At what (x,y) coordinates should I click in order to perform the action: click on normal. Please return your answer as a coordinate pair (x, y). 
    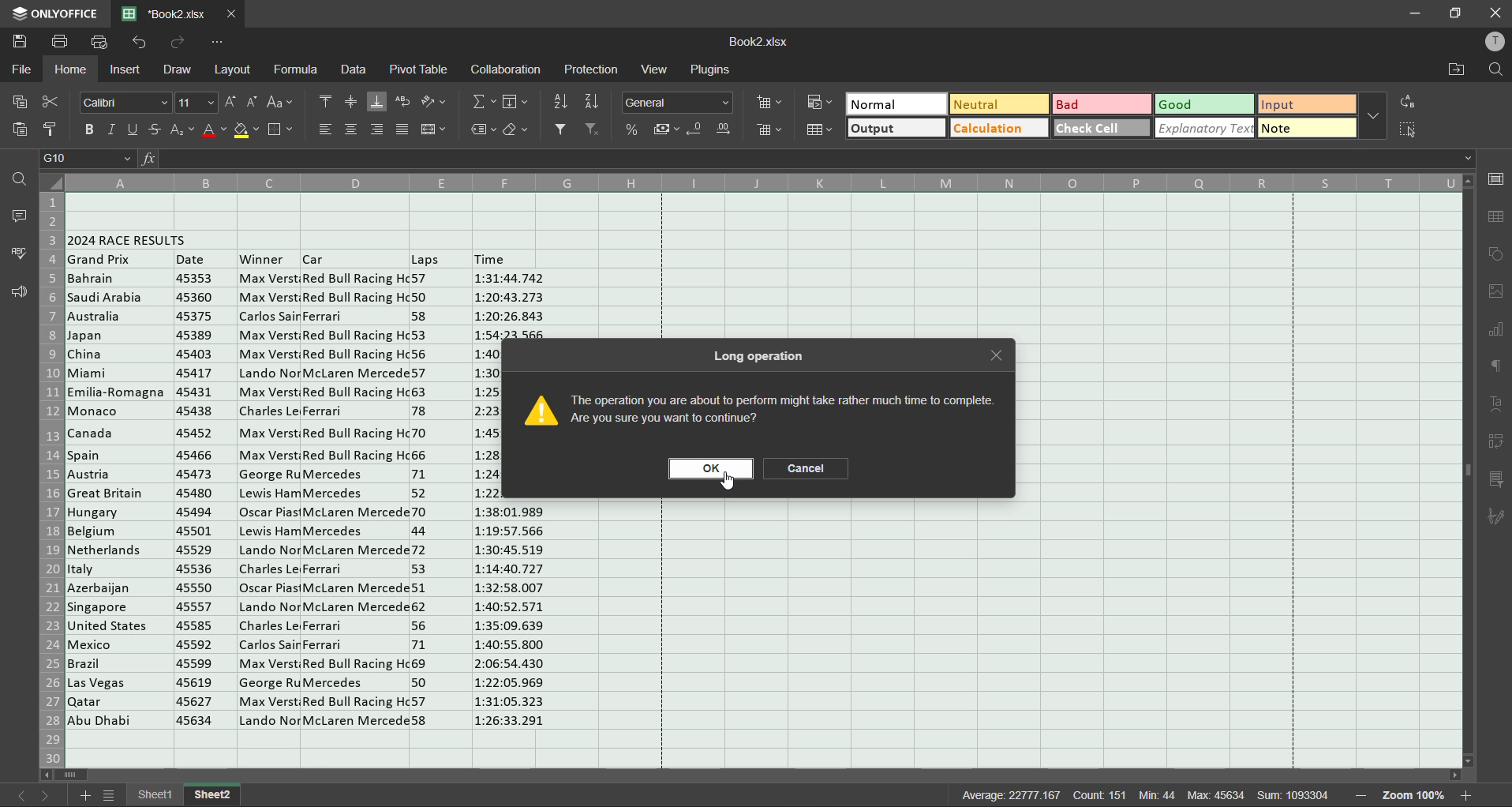
    Looking at the image, I should click on (897, 105).